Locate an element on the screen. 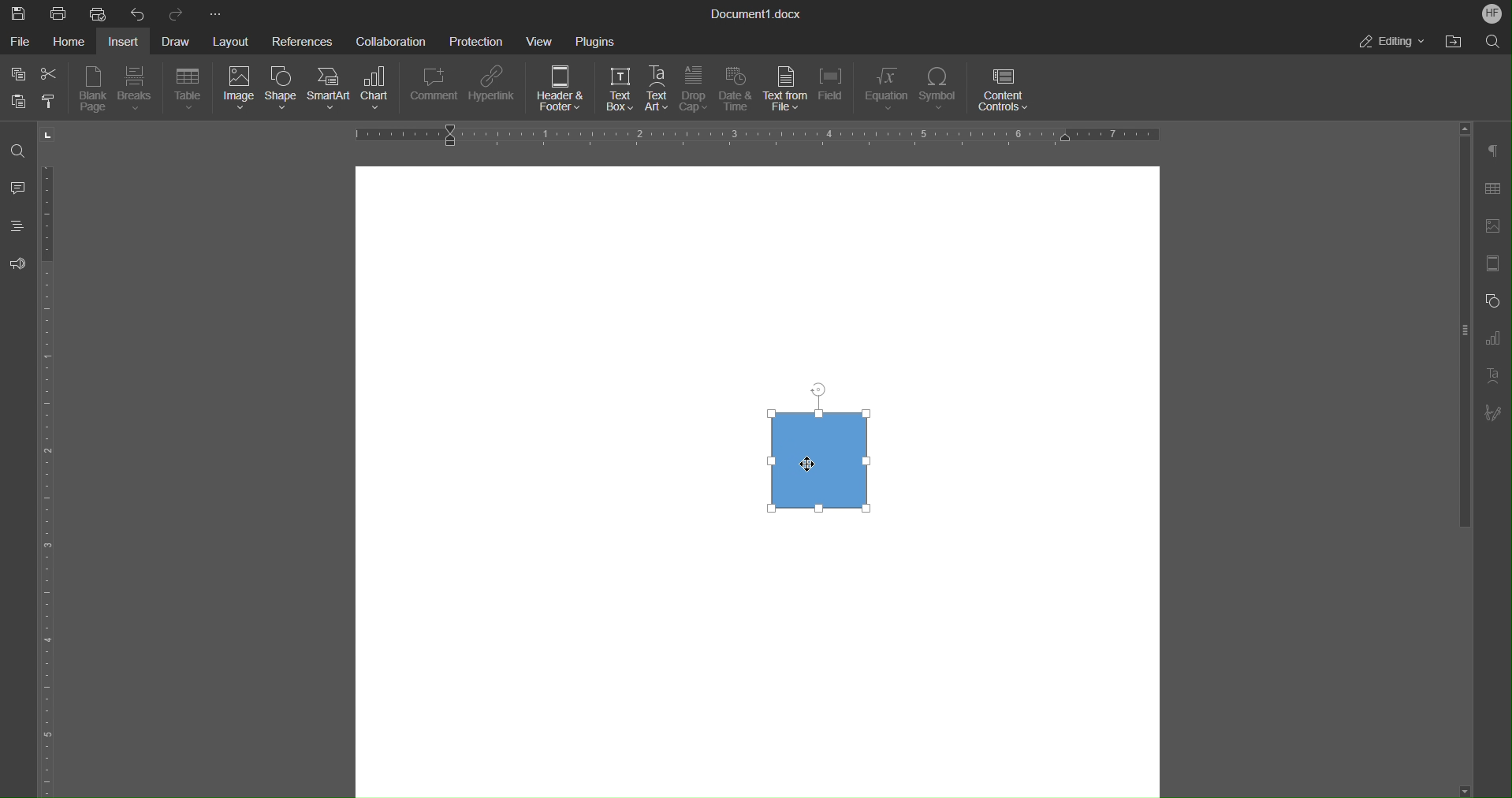  Insert Image is located at coordinates (1497, 226).